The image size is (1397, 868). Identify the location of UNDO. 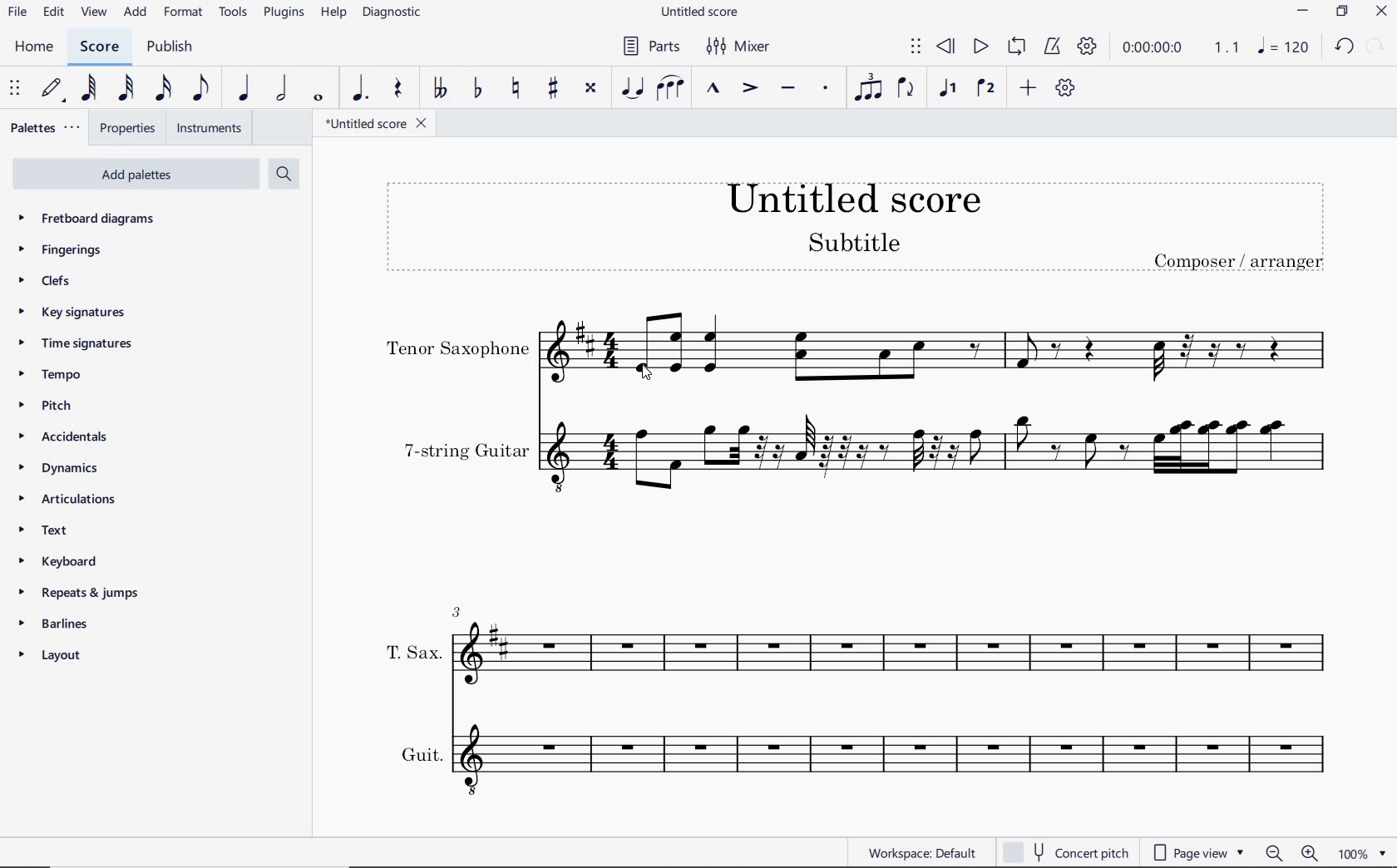
(1345, 48).